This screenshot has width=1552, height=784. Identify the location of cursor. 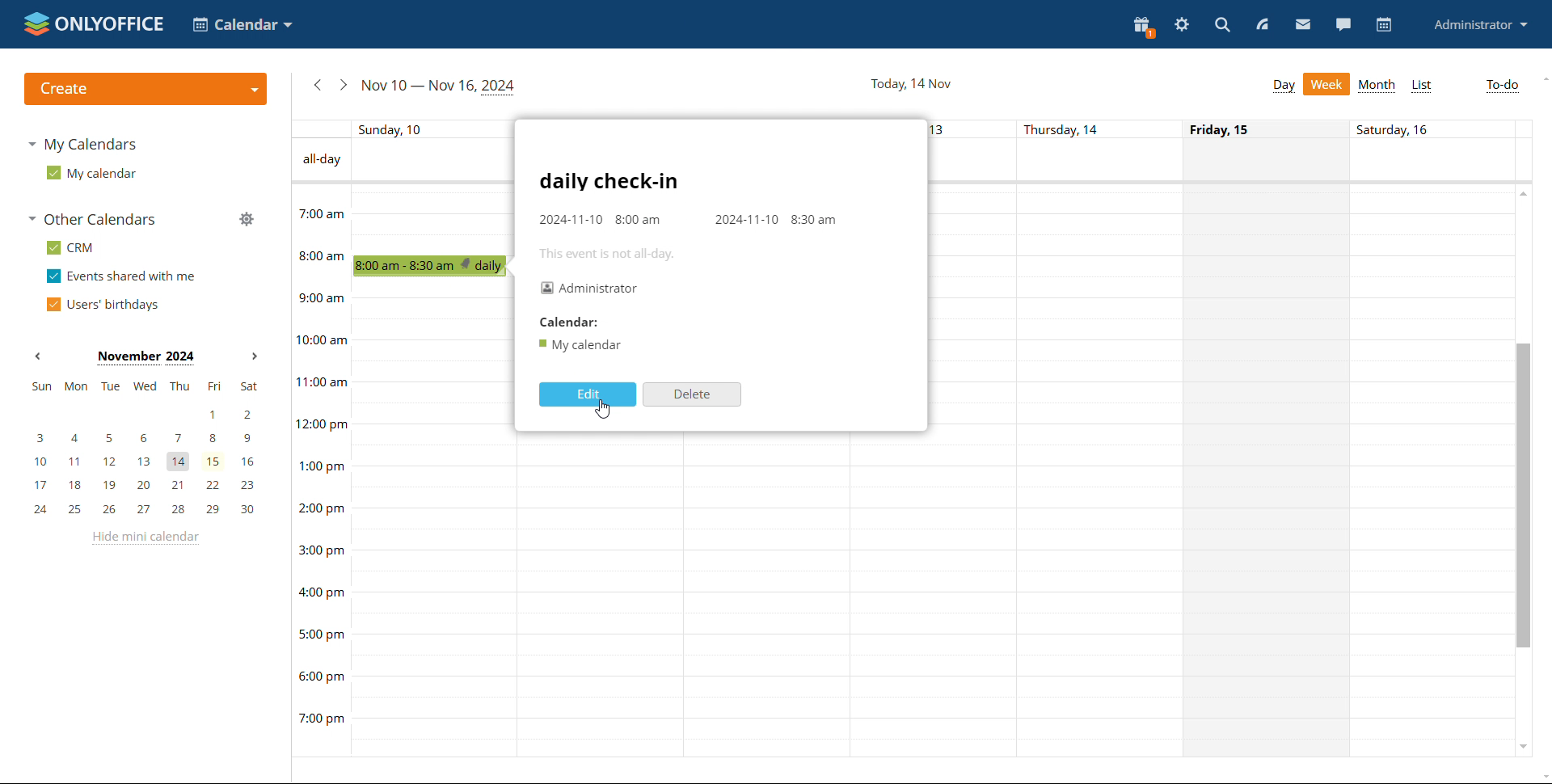
(605, 410).